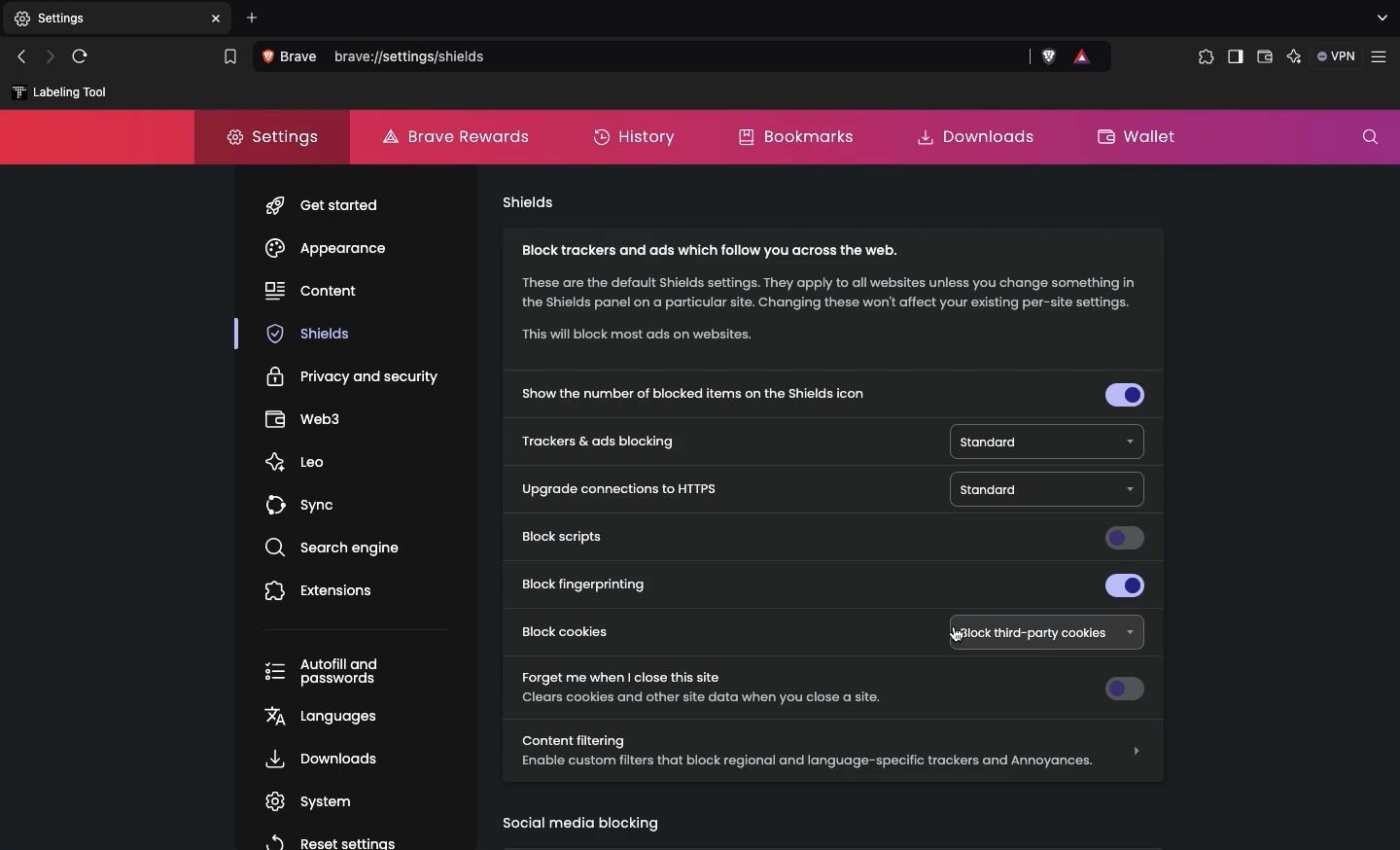  What do you see at coordinates (326, 718) in the screenshot?
I see `languages` at bounding box center [326, 718].